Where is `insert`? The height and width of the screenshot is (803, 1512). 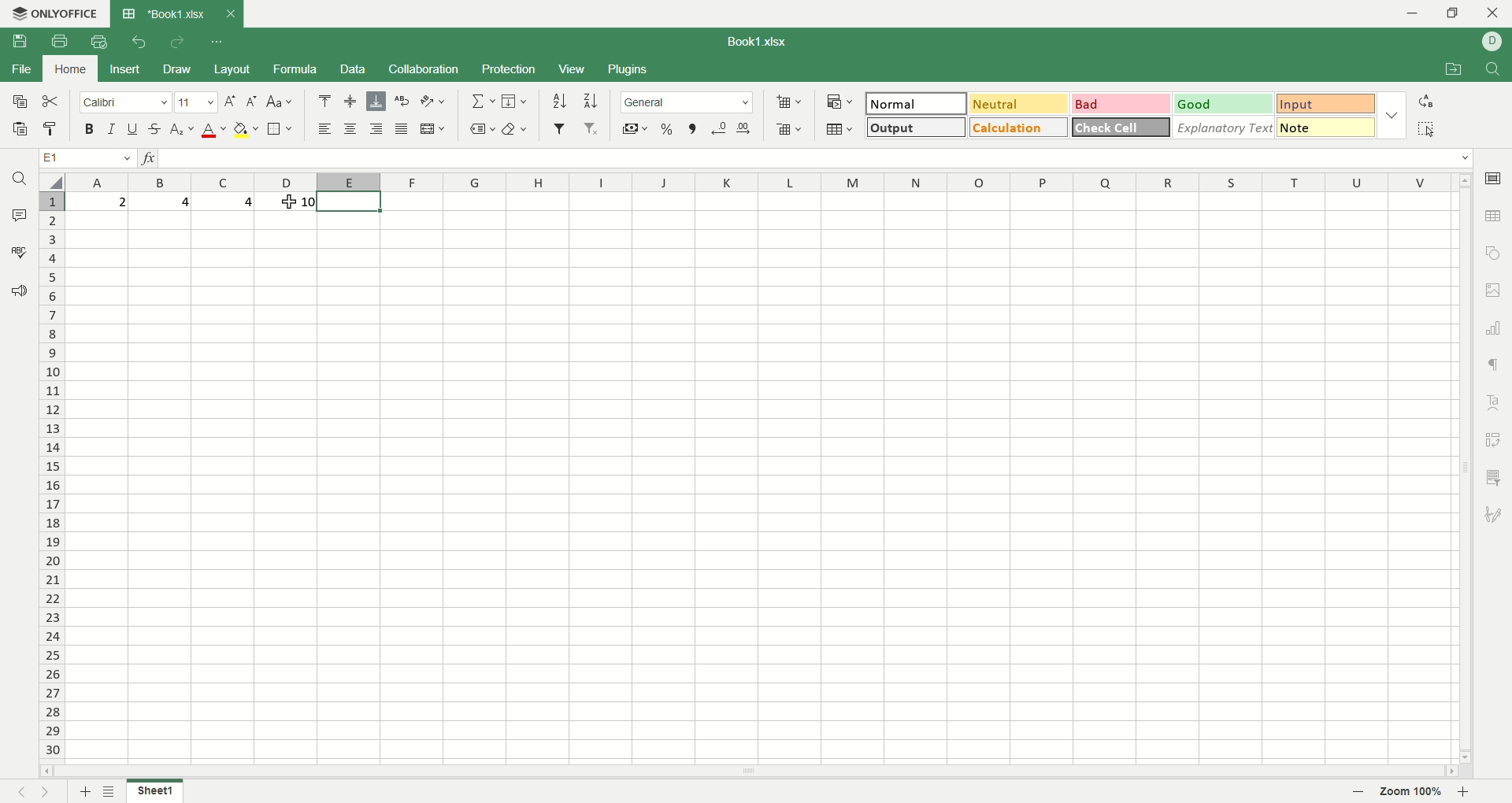
insert is located at coordinates (121, 70).